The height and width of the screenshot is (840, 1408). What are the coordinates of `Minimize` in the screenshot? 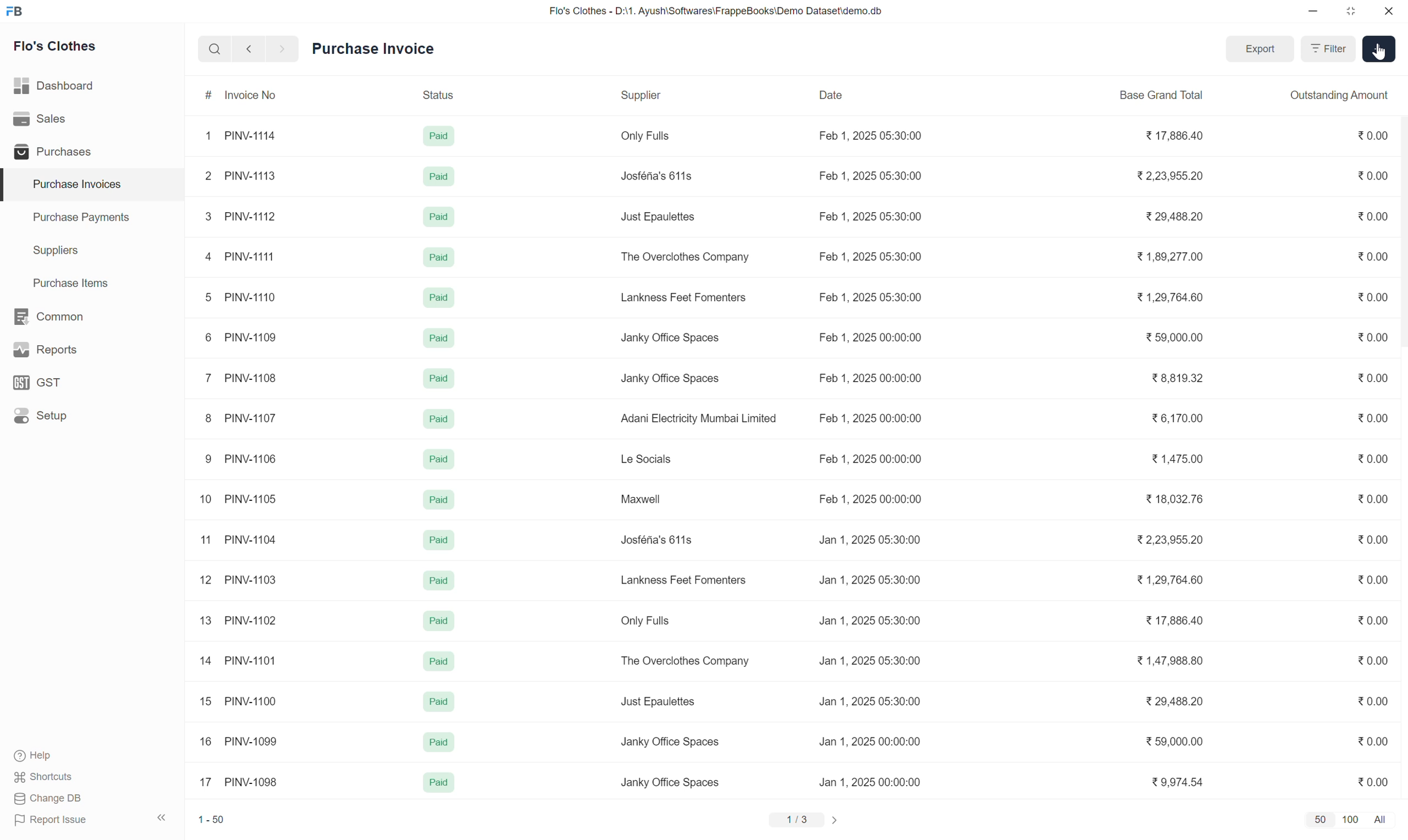 It's located at (1313, 11).